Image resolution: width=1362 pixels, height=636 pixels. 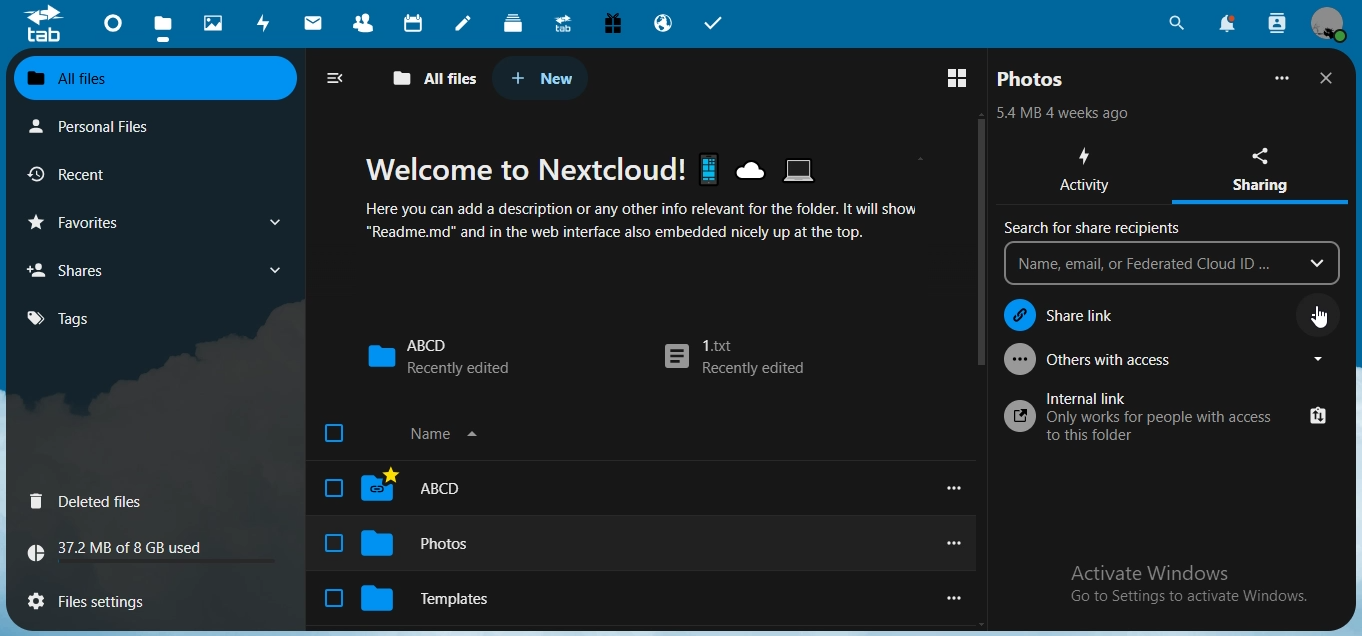 I want to click on search contacts, so click(x=1277, y=23).